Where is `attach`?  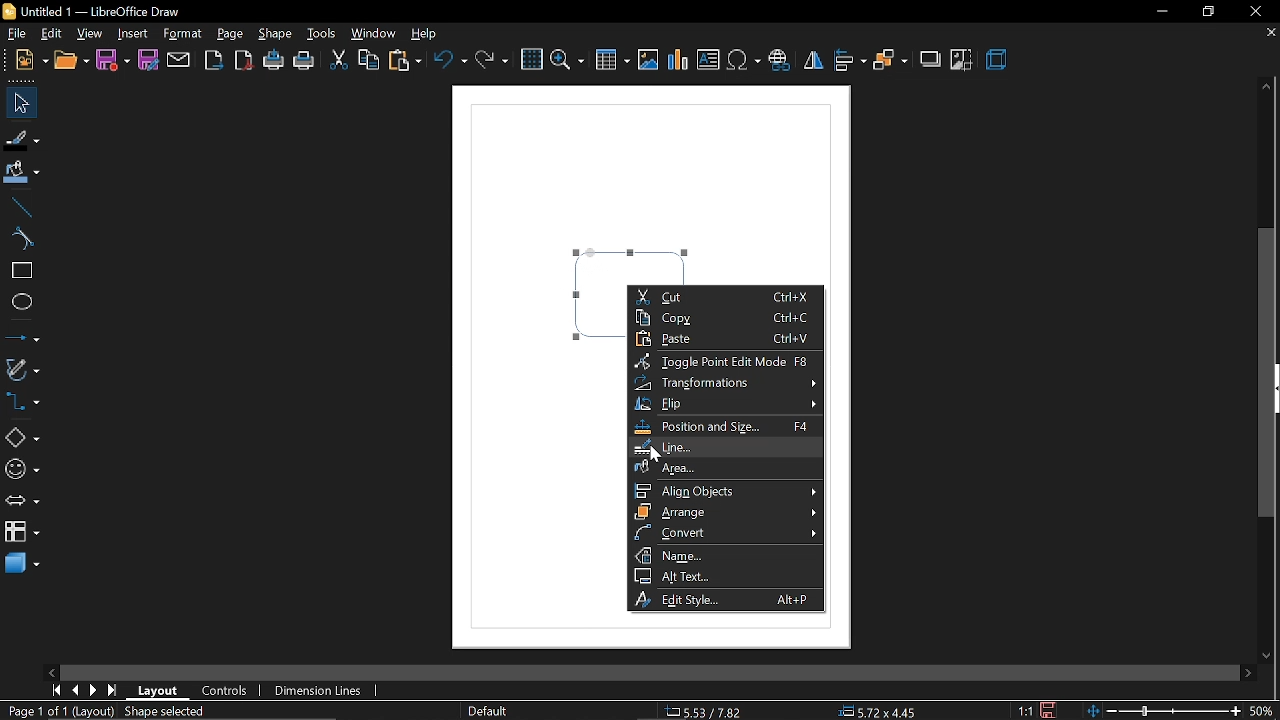
attach is located at coordinates (178, 61).